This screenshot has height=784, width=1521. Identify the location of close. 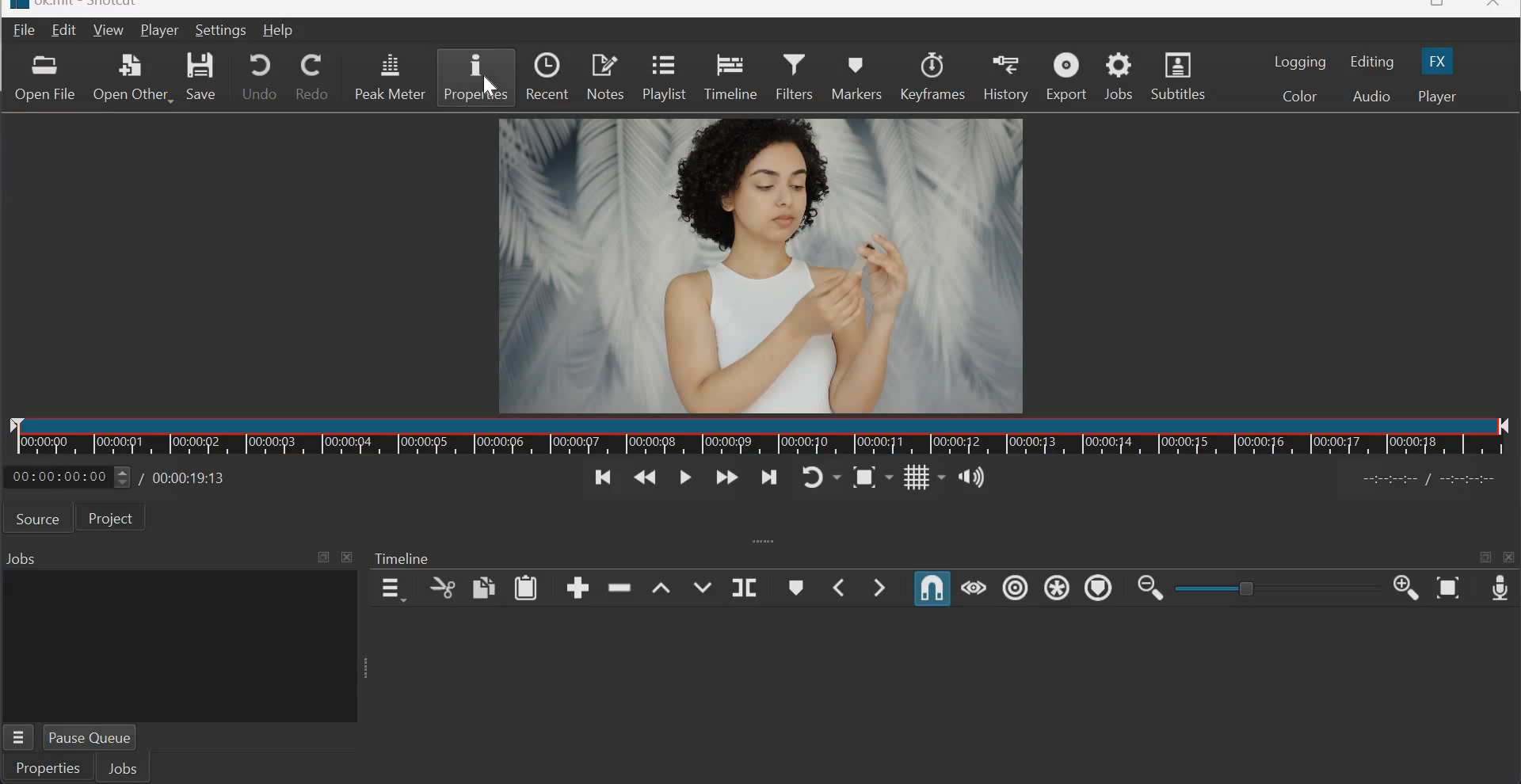
(349, 557).